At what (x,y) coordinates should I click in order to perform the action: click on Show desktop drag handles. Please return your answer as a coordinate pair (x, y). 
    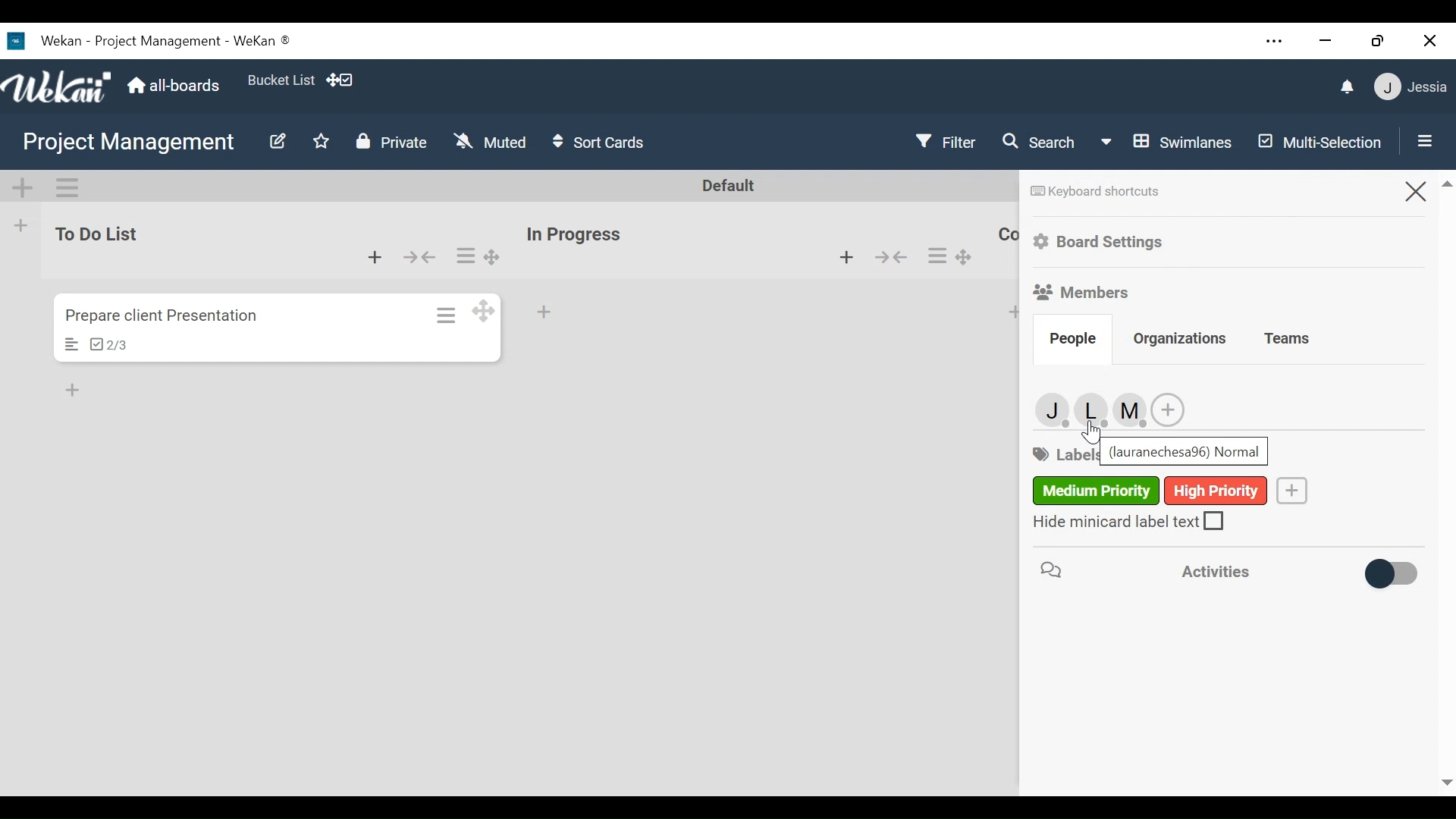
    Looking at the image, I should click on (344, 81).